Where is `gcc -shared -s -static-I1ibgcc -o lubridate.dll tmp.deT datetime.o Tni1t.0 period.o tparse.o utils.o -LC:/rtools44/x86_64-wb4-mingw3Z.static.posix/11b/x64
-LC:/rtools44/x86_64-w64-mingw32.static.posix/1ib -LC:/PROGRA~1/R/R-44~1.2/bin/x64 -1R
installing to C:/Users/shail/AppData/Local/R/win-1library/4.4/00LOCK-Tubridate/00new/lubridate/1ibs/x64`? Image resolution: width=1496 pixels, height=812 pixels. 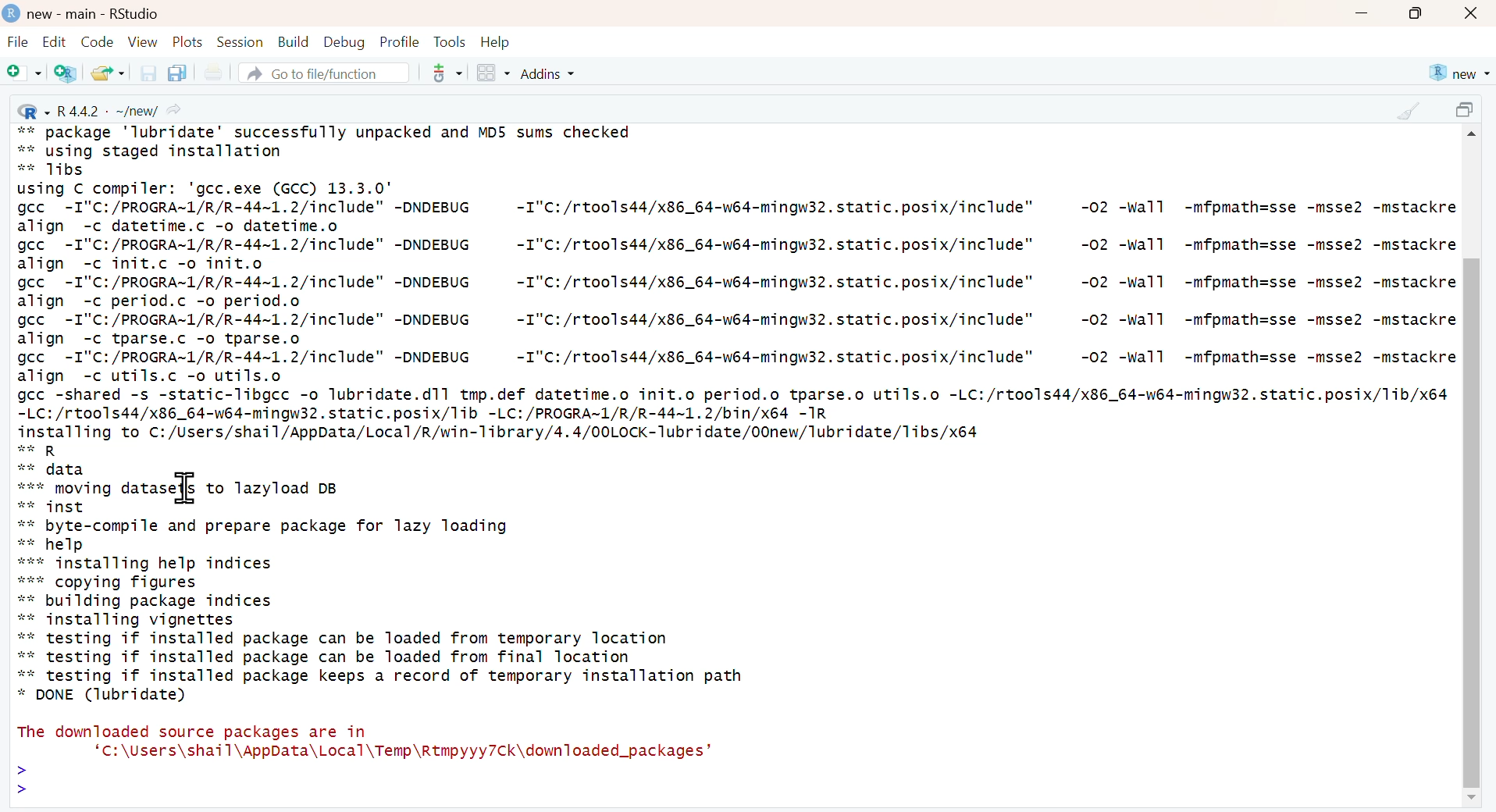 gcc -shared -s -static-I1ibgcc -o lubridate.dll tmp.deT datetime.o Tni1t.0 period.o tparse.o utils.o -LC:/rtools44/x86_64-wb4-mingw3Z.static.posix/11b/x64
-LC:/rtools44/x86_64-w64-mingw32.static.posix/1ib -LC:/PROGRA~1/R/R-44~1.2/bin/x64 -1R
installing to C:/Users/shail/AppData/Local/R/win-1library/4.4/00LOCK-Tubridate/00new/lubridate/1ibs/x64 is located at coordinates (734, 414).